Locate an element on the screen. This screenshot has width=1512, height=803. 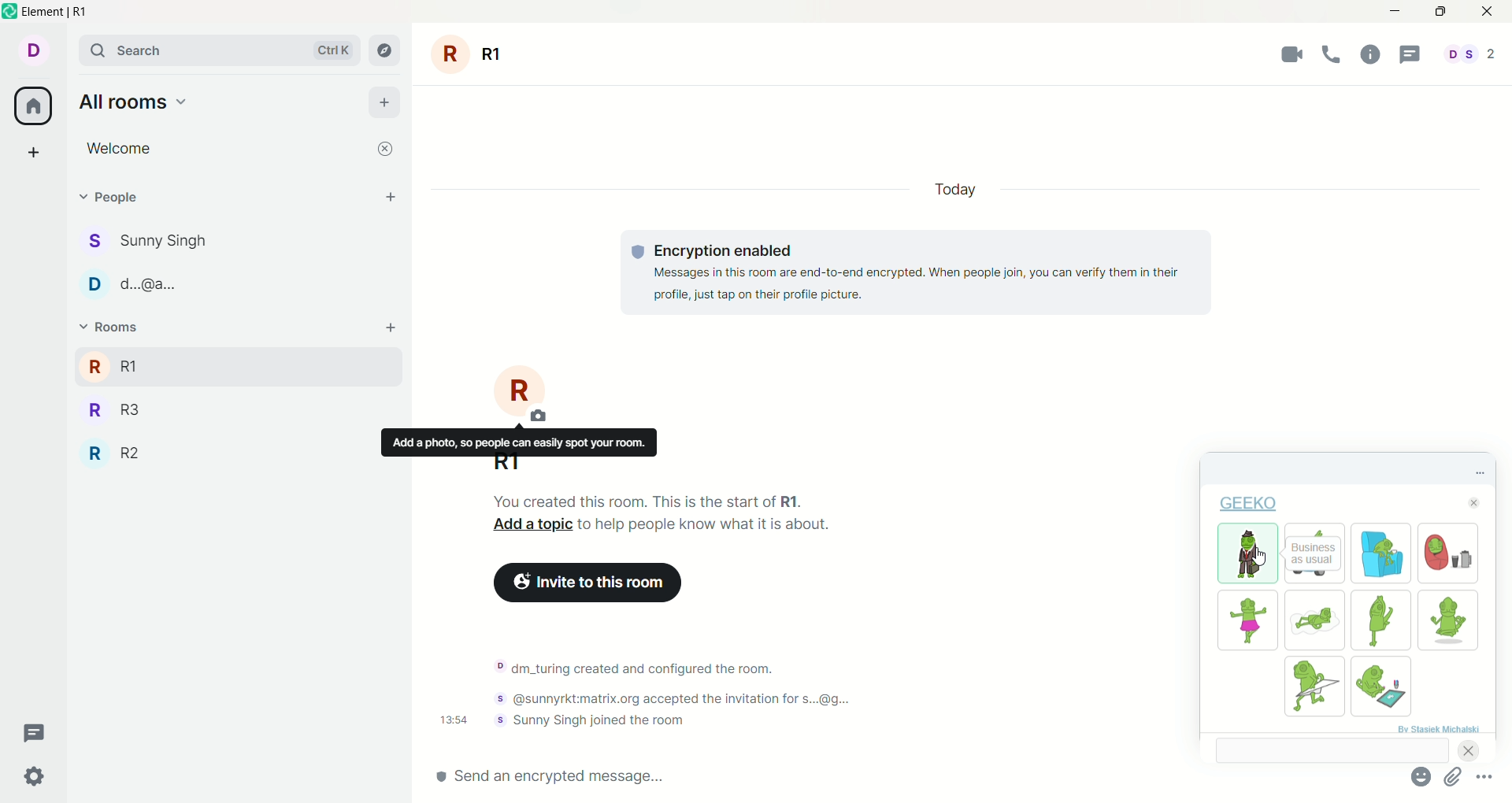
Geeko see you later sticker is located at coordinates (1314, 577).